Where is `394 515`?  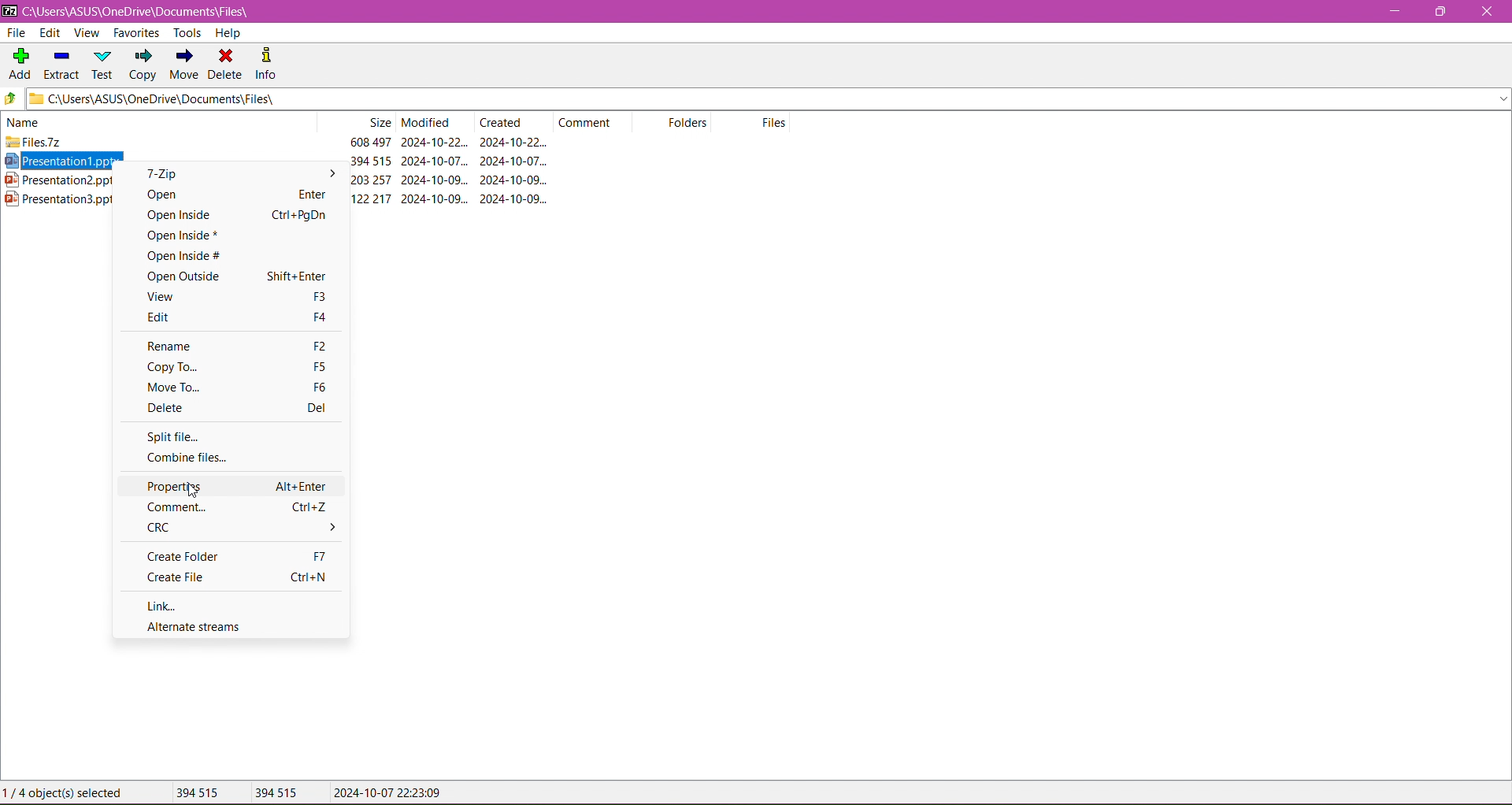 394 515 is located at coordinates (276, 793).